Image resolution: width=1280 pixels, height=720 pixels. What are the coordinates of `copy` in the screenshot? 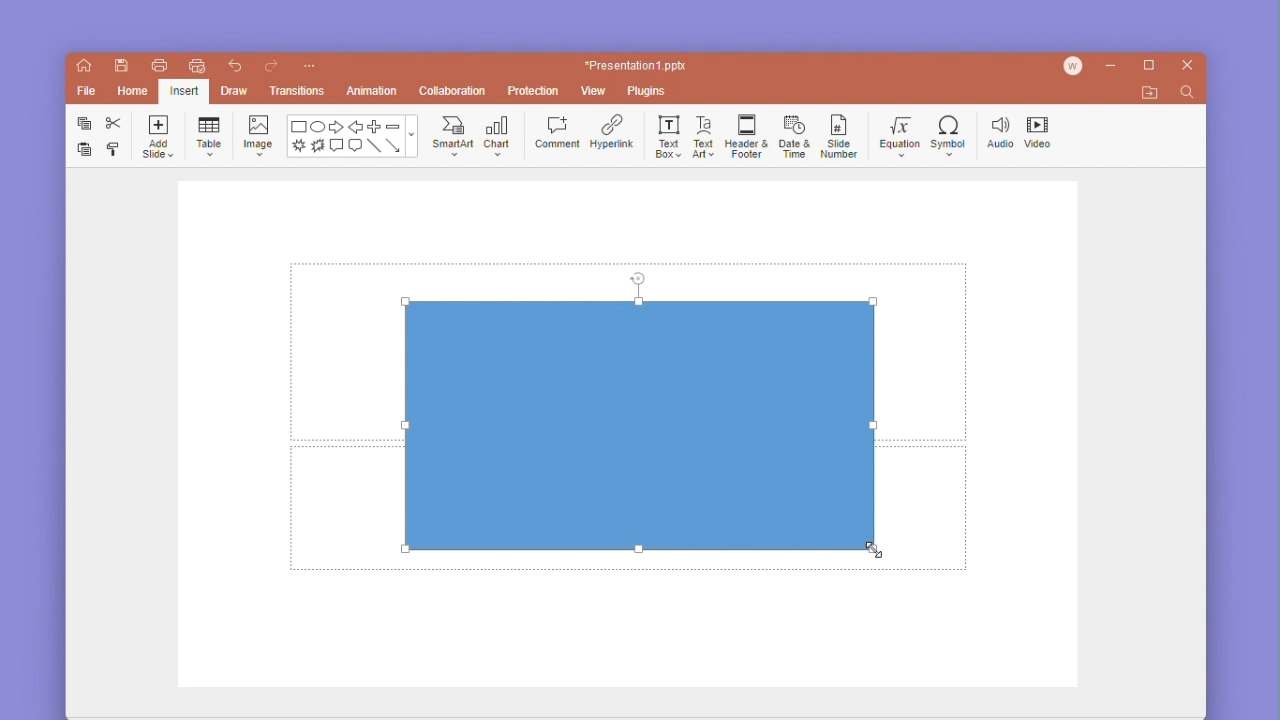 It's located at (80, 124).